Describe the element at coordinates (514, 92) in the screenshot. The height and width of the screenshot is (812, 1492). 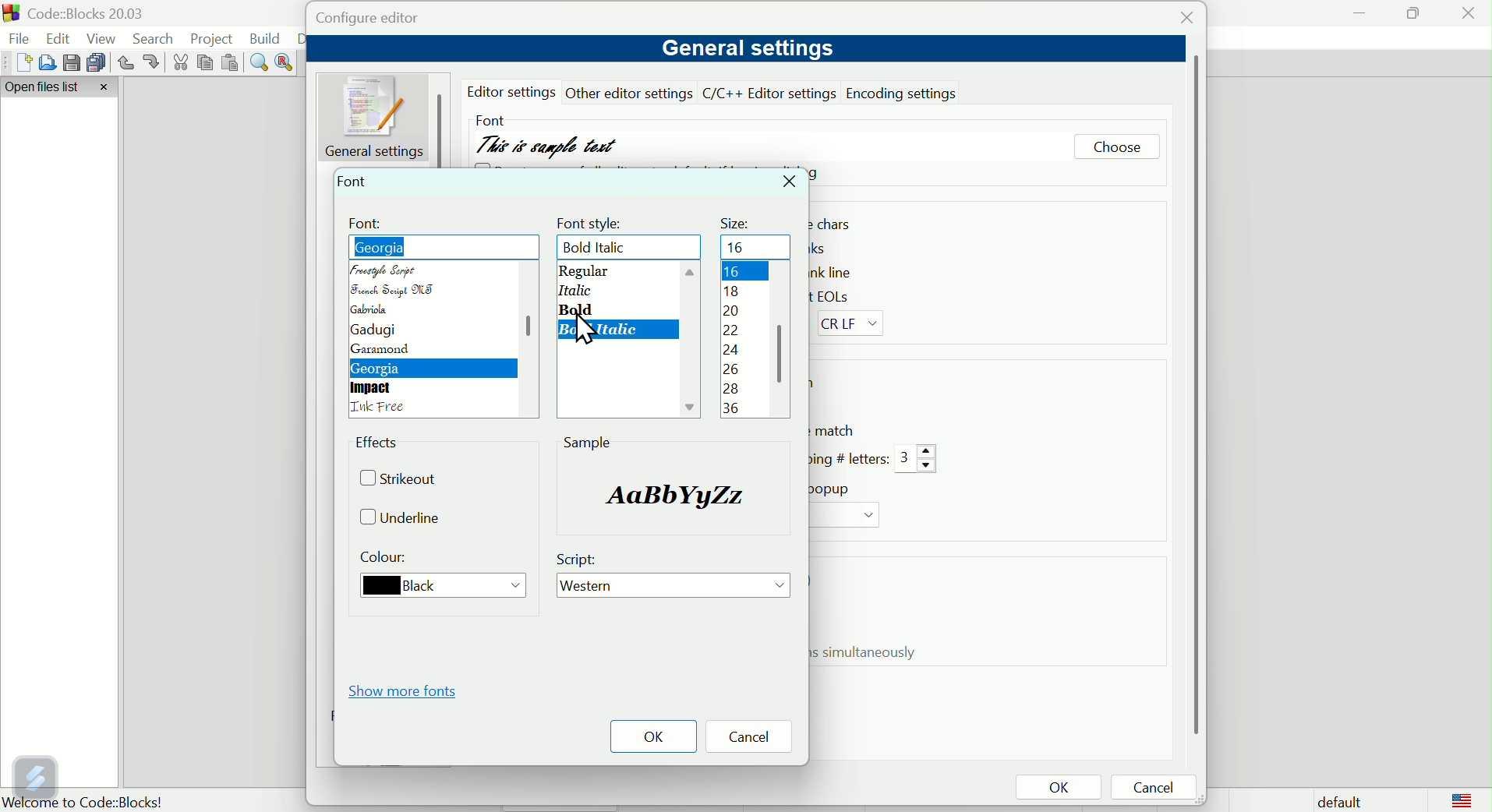
I see `editor settings` at that location.